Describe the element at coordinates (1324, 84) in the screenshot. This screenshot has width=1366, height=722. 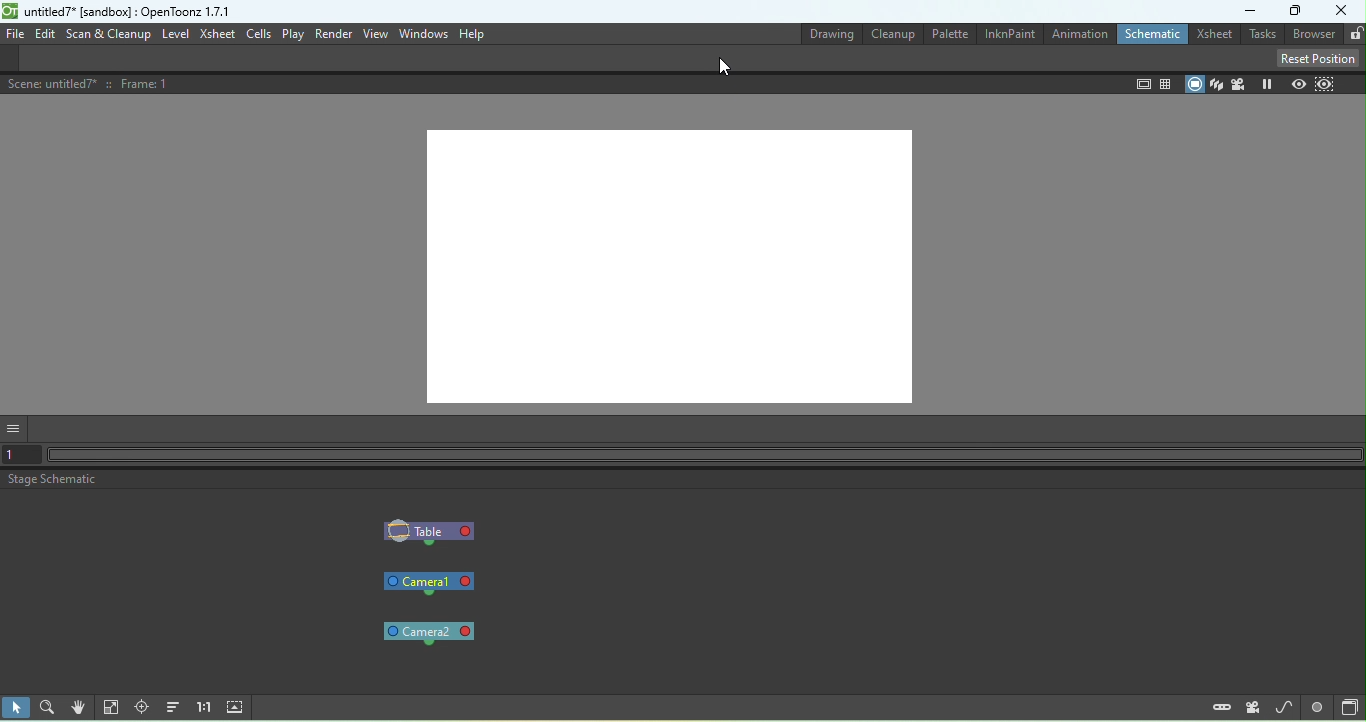
I see `Sub-camera preview` at that location.